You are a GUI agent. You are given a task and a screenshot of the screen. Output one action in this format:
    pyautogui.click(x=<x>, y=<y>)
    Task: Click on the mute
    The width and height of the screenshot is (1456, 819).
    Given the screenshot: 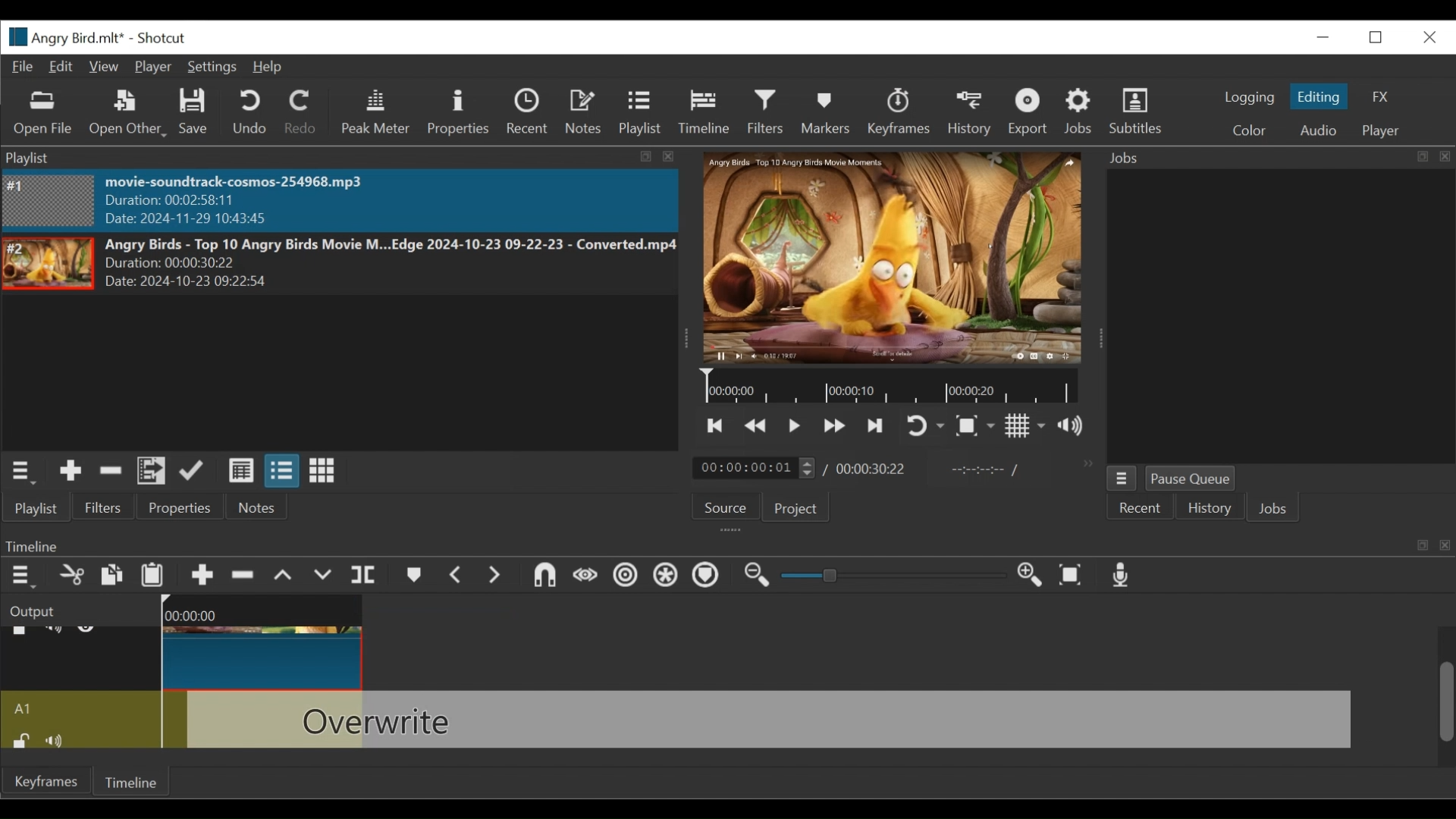 What is the action you would take?
    pyautogui.click(x=60, y=739)
    